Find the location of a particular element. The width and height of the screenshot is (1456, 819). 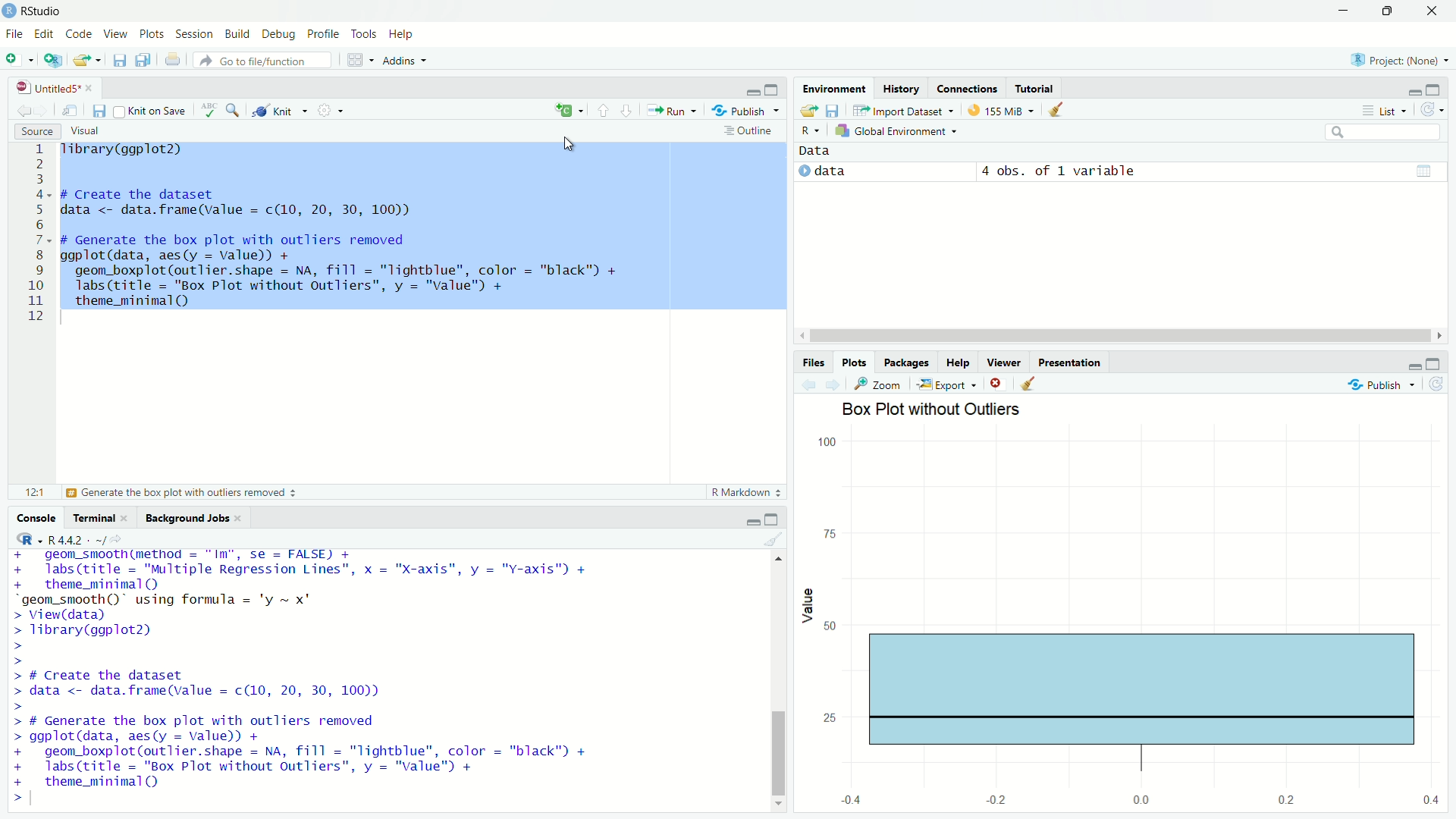

copy is located at coordinates (144, 61).